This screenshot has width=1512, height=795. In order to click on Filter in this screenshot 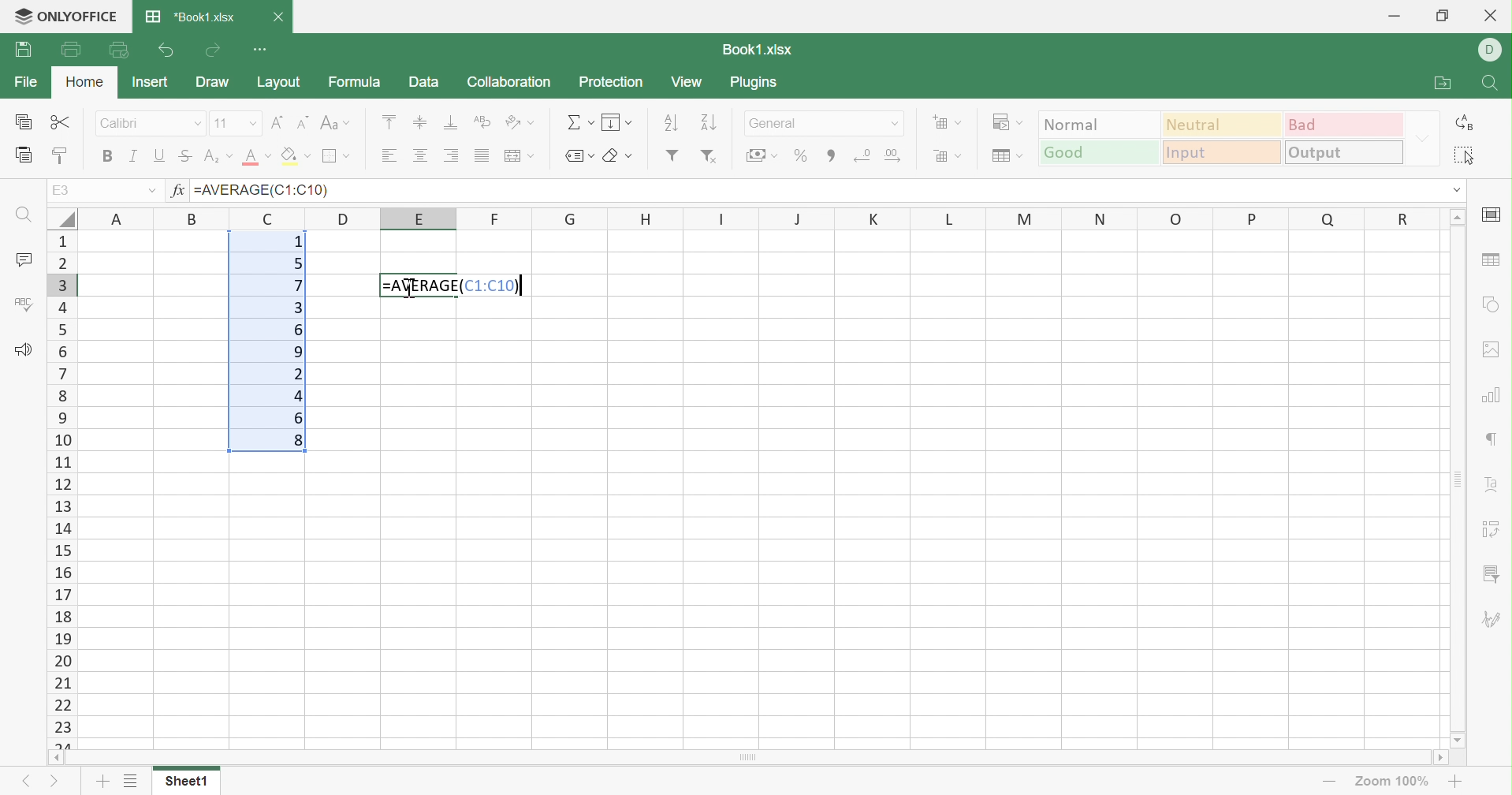, I will do `click(669, 155)`.